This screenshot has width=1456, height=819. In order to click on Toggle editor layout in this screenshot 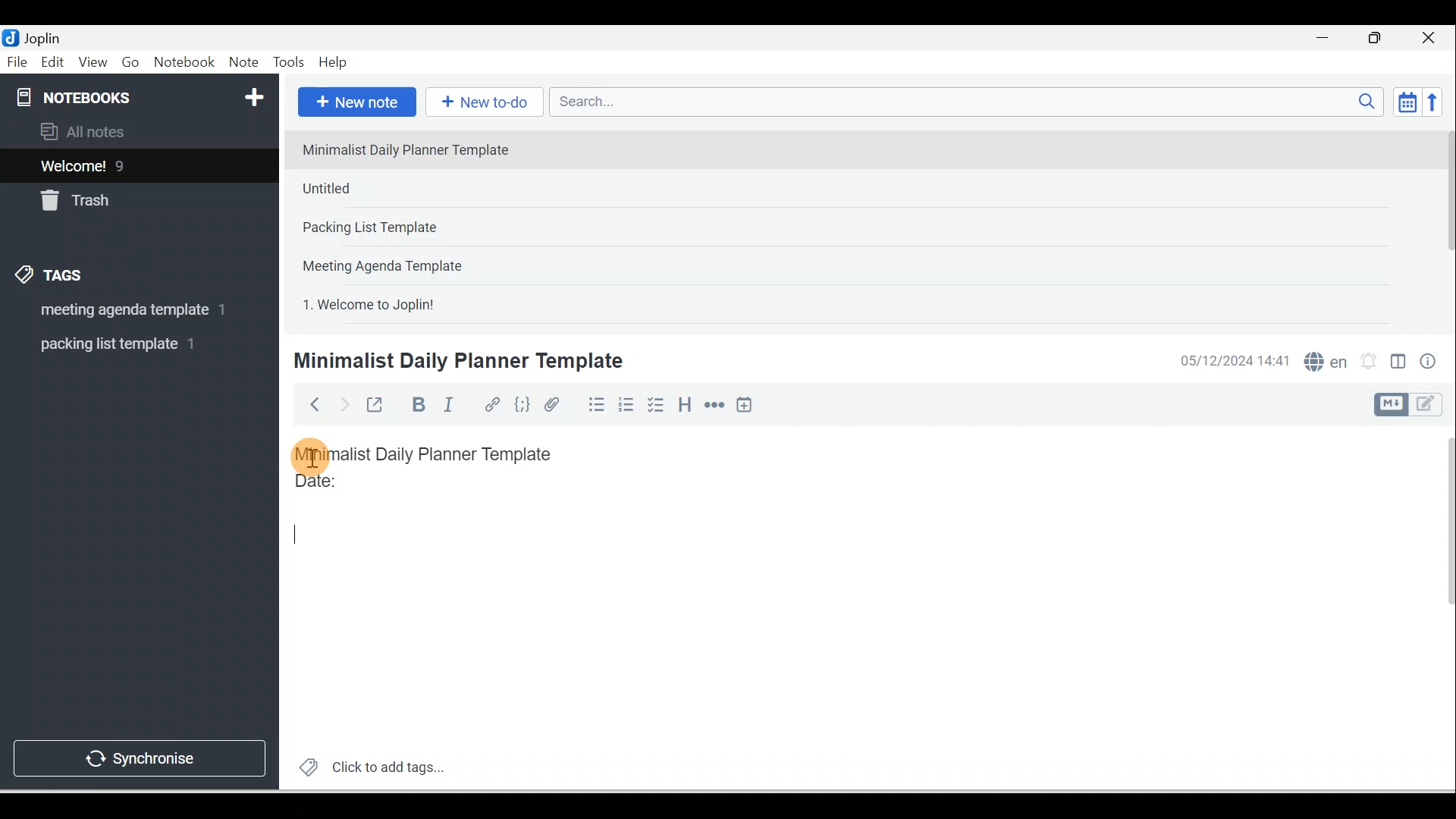, I will do `click(1414, 405)`.